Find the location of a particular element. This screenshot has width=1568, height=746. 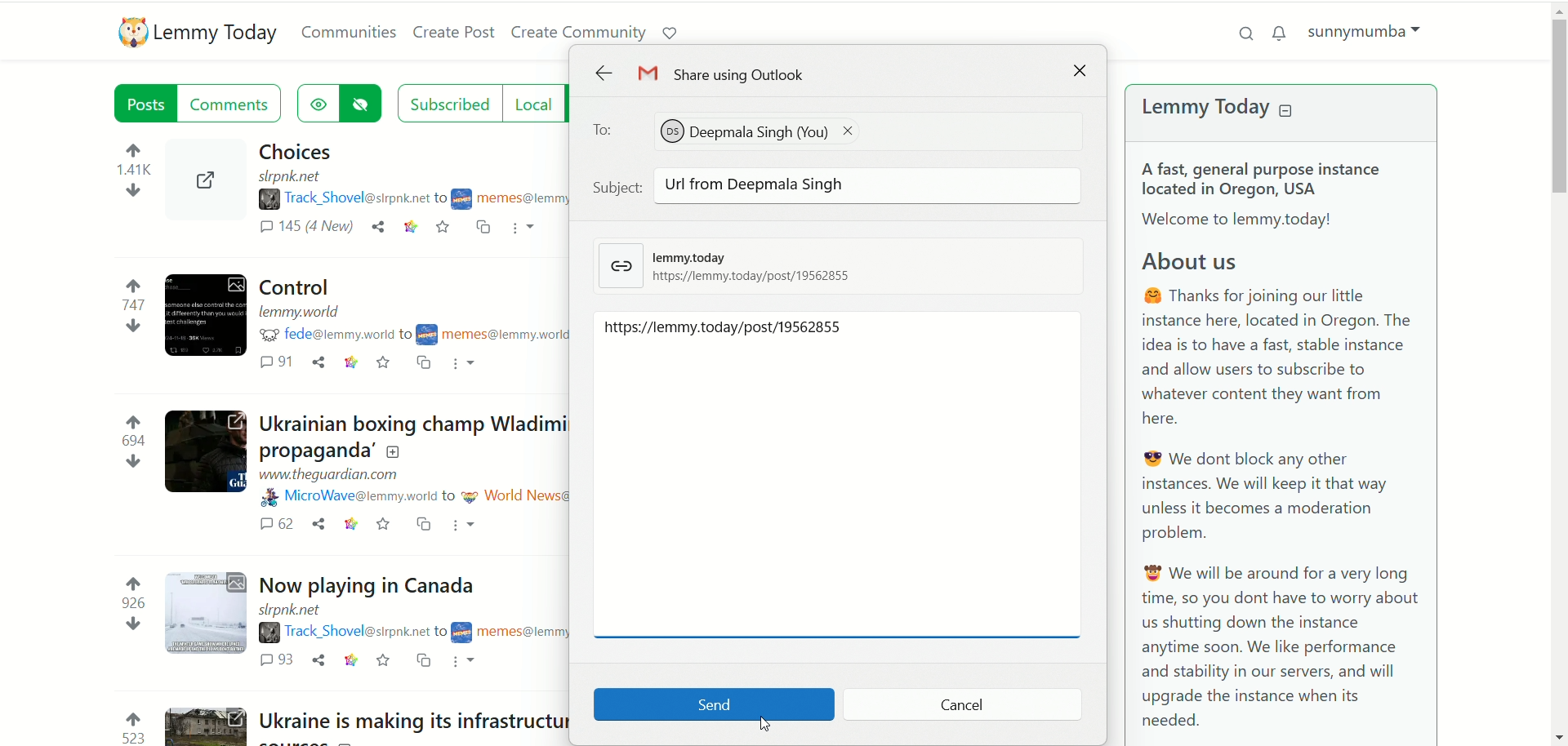

username is located at coordinates (337, 199).